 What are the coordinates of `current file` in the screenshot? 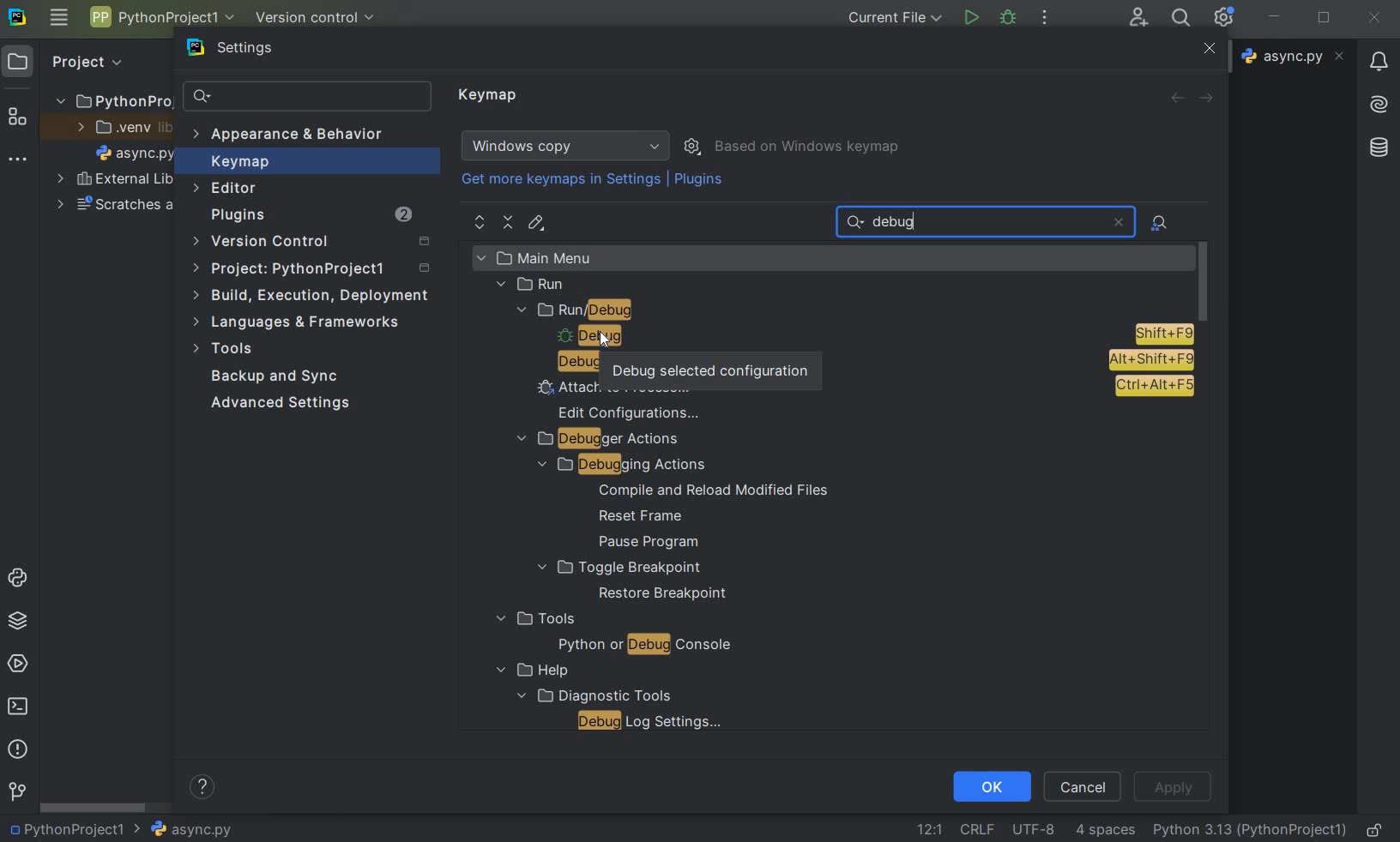 It's located at (896, 17).